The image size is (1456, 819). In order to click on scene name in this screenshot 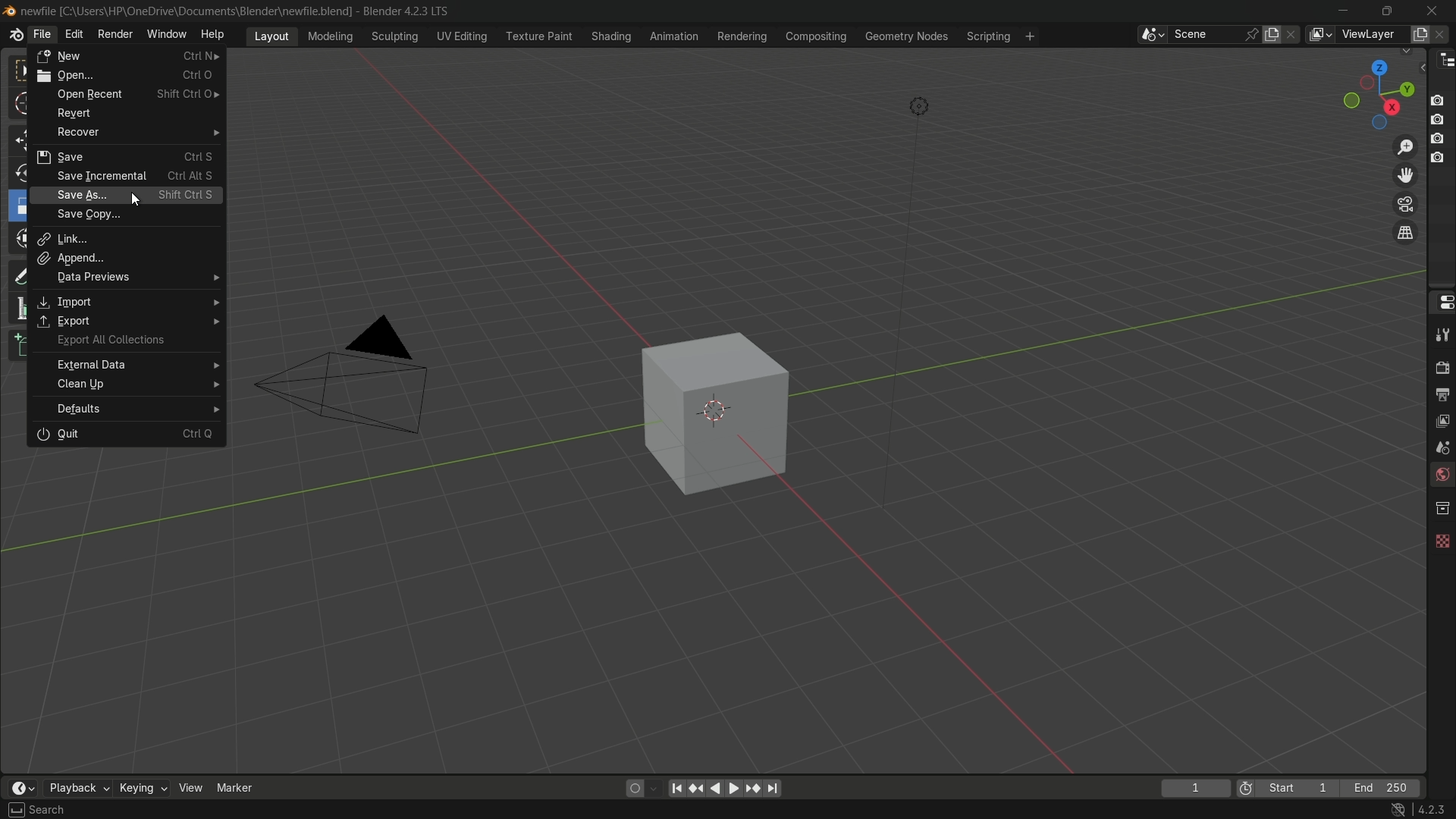, I will do `click(1205, 33)`.